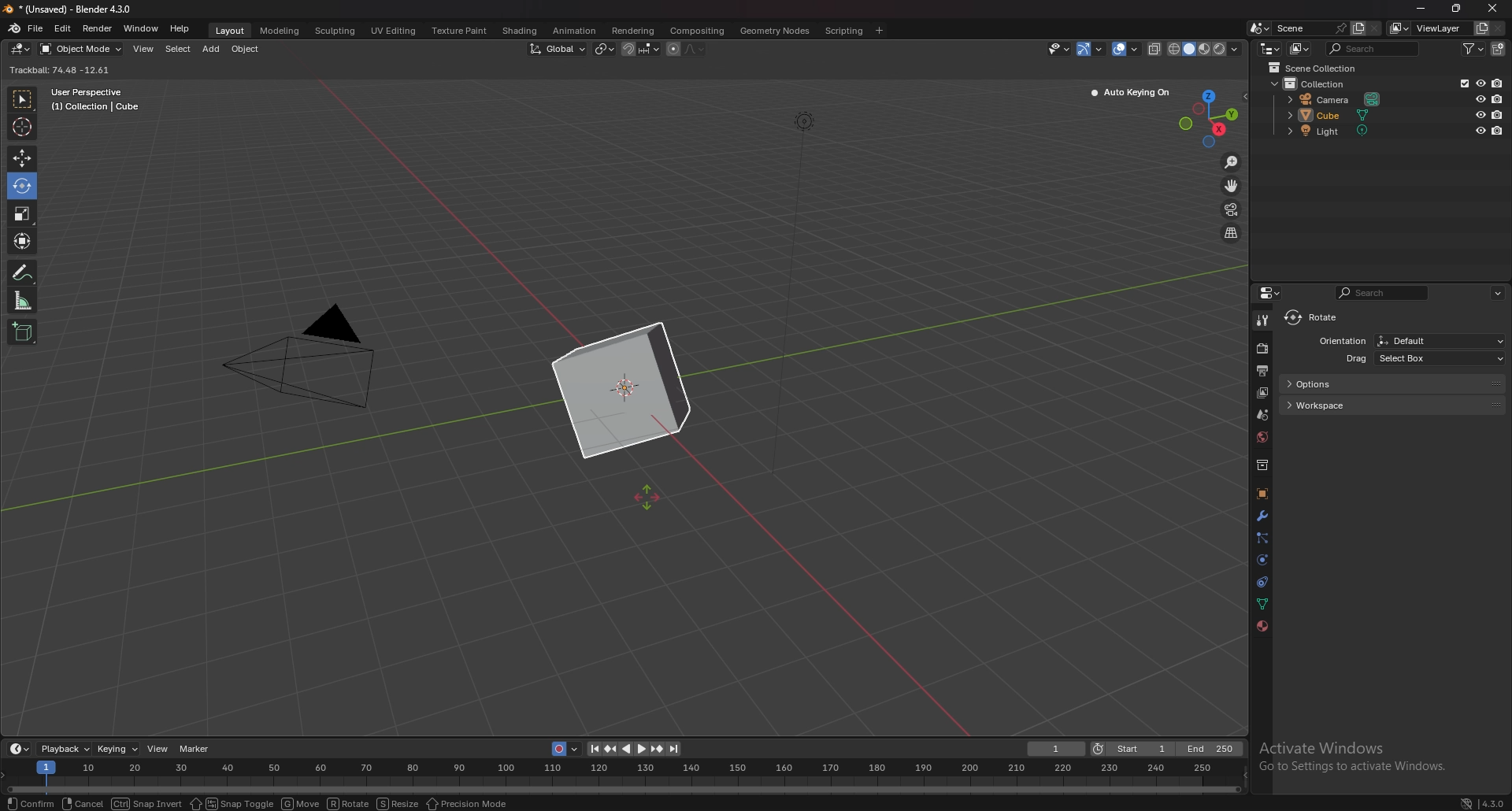  What do you see at coordinates (1492, 9) in the screenshot?
I see `close` at bounding box center [1492, 9].